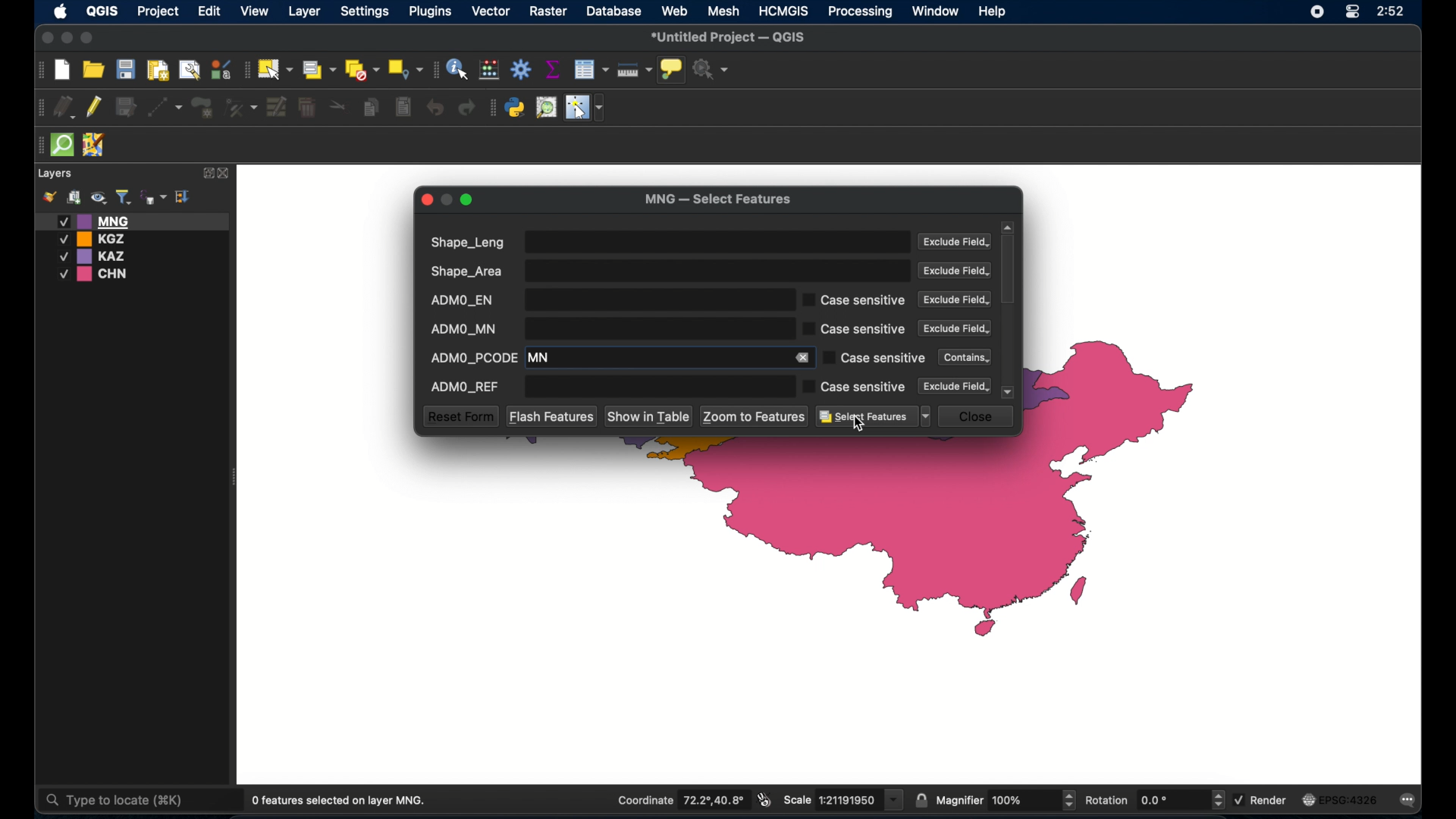 The width and height of the screenshot is (1456, 819). Describe the element at coordinates (277, 108) in the screenshot. I see `modify attributes` at that location.